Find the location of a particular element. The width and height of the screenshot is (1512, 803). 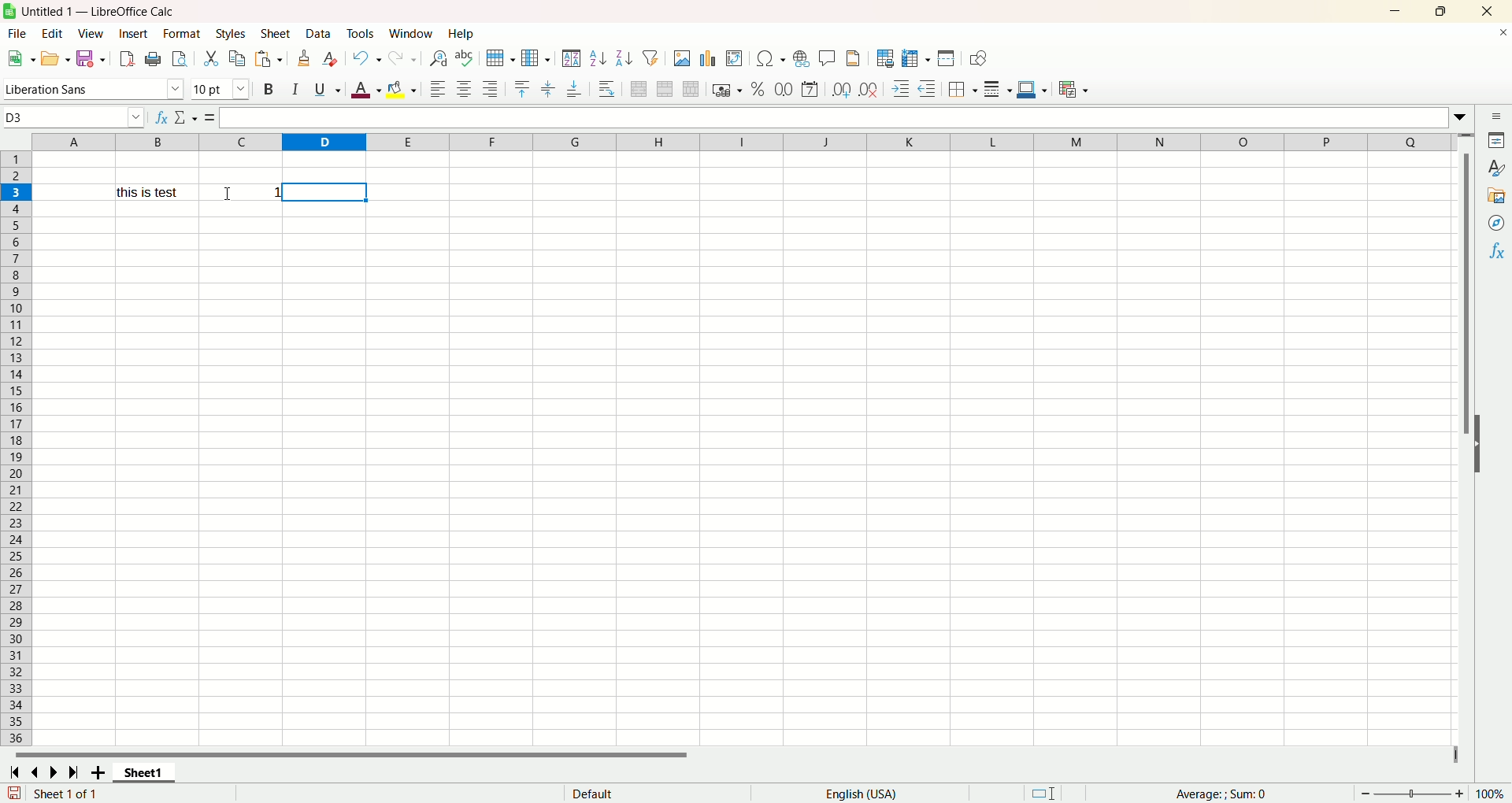

format as currency is located at coordinates (727, 88).